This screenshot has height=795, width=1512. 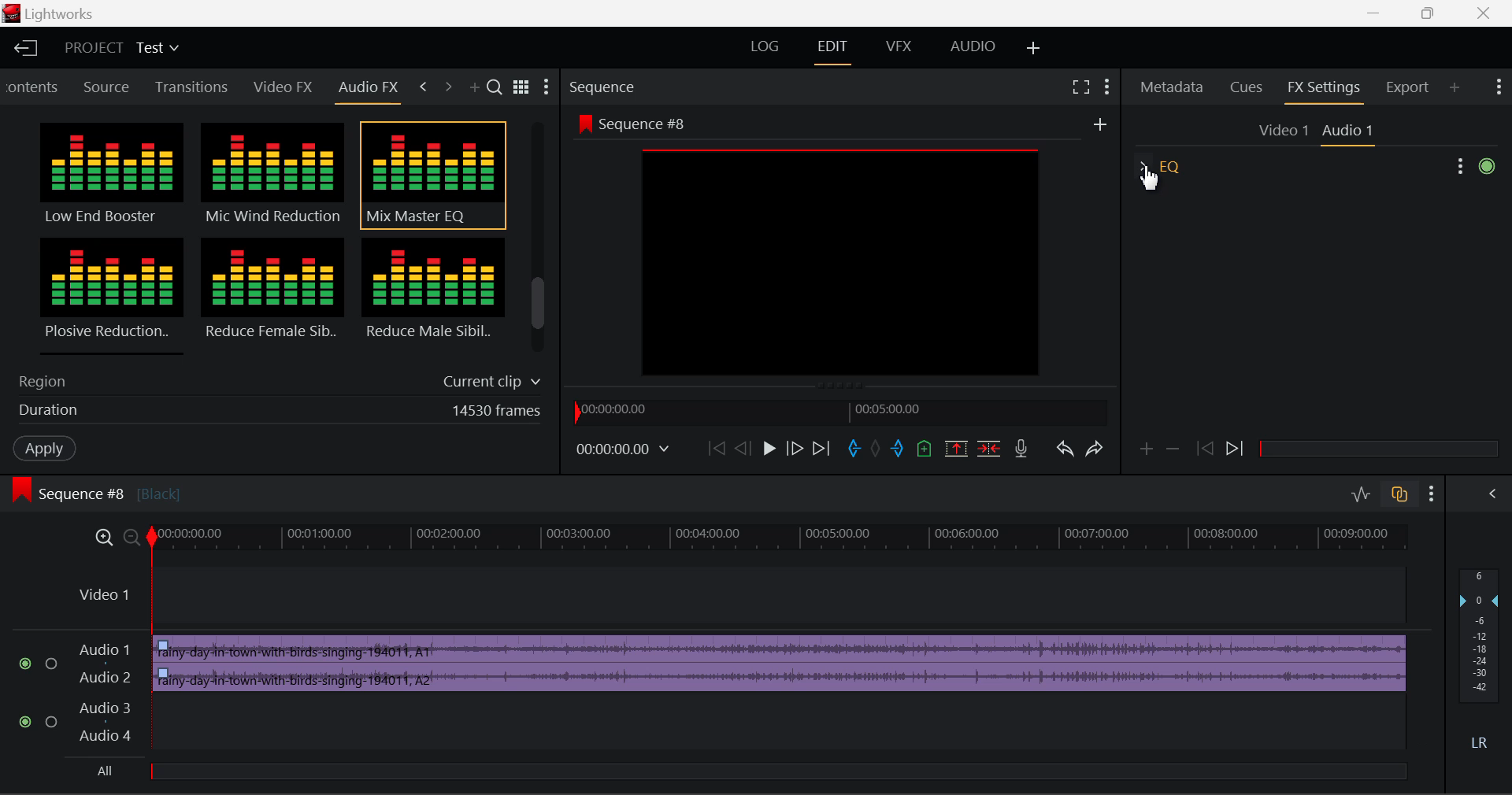 What do you see at coordinates (825, 450) in the screenshot?
I see `To End` at bounding box center [825, 450].